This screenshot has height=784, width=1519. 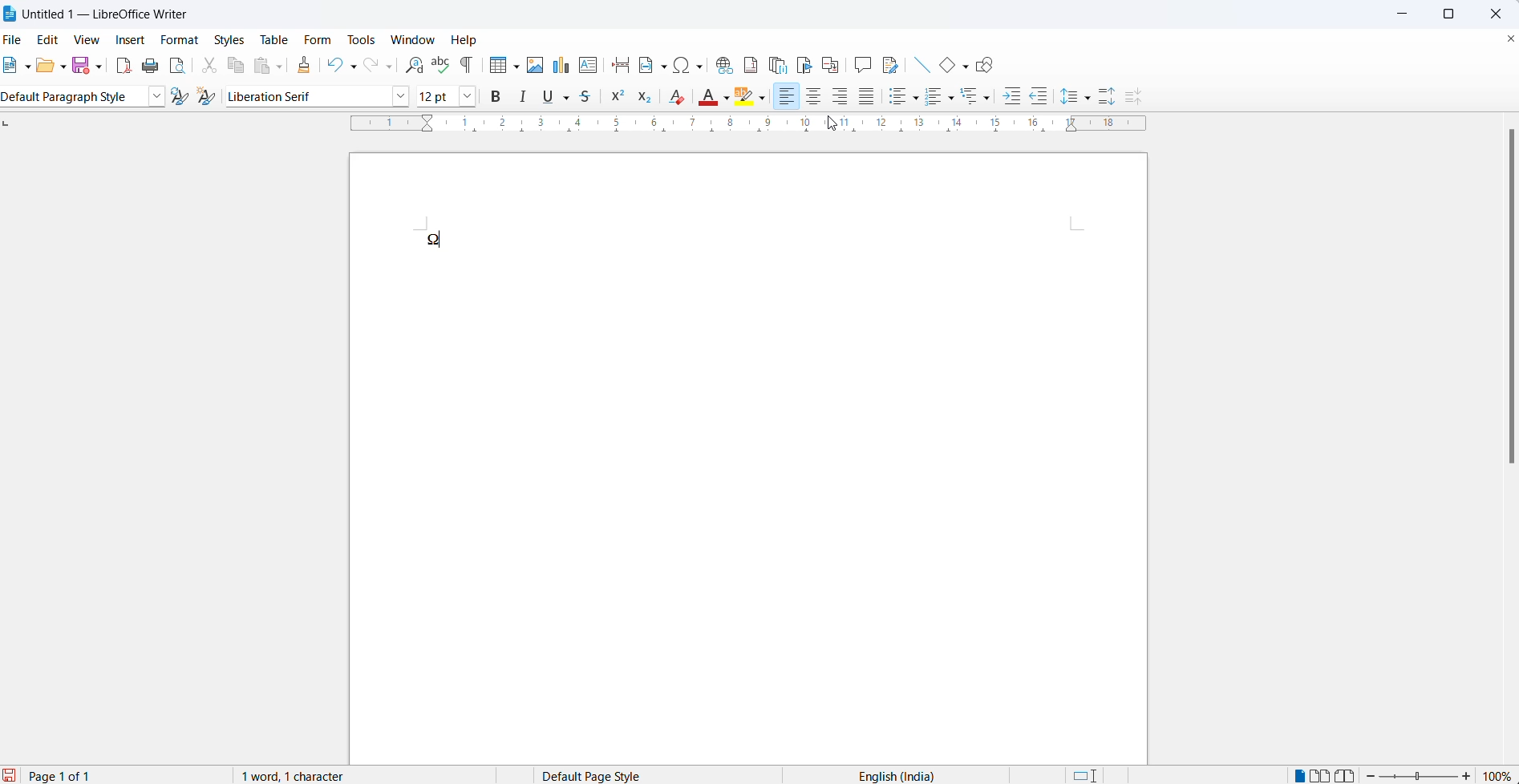 What do you see at coordinates (435, 240) in the screenshot?
I see `special character omega` at bounding box center [435, 240].